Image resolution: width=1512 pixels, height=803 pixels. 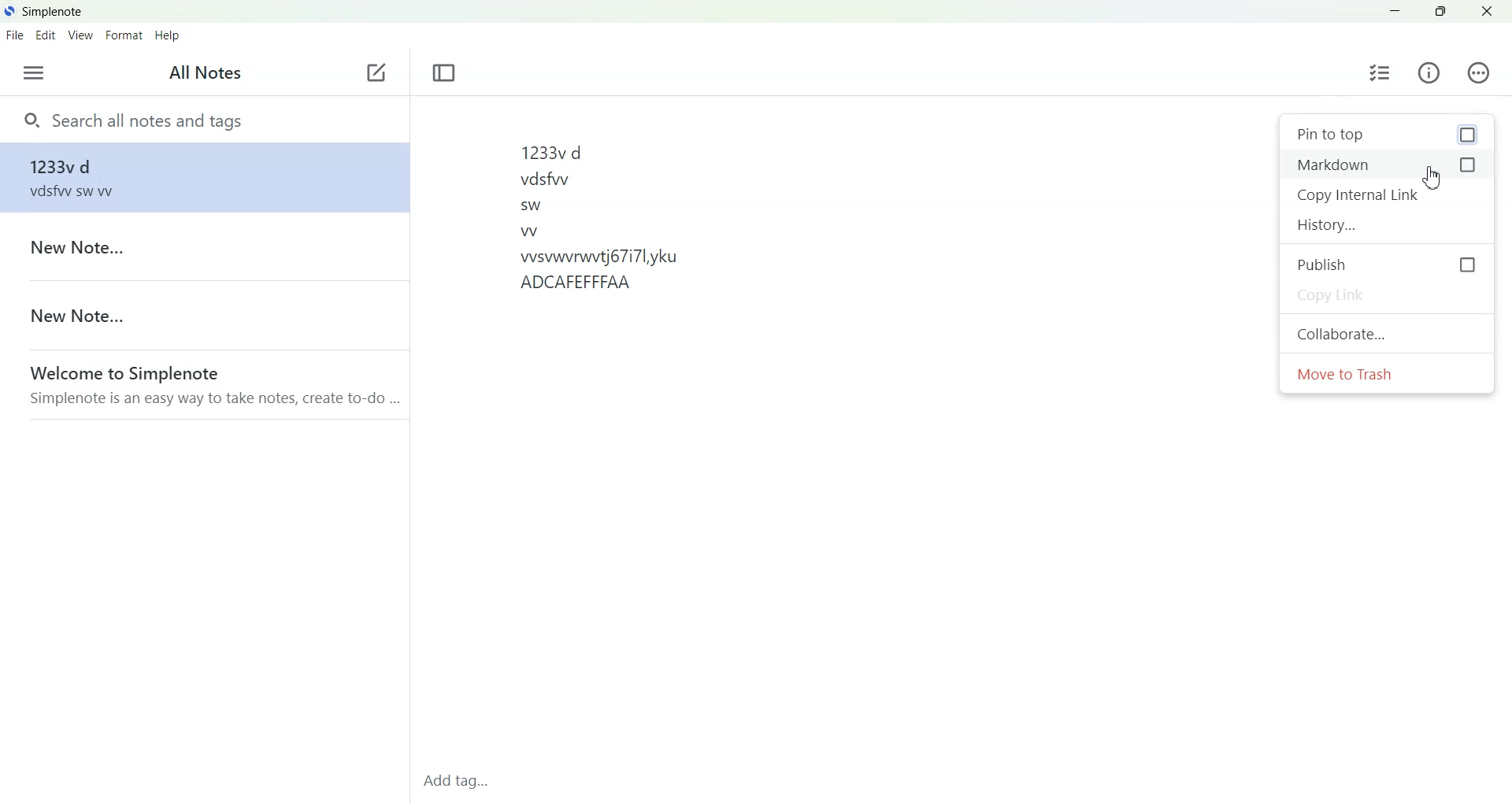 What do you see at coordinates (462, 785) in the screenshot?
I see `Add tag` at bounding box center [462, 785].